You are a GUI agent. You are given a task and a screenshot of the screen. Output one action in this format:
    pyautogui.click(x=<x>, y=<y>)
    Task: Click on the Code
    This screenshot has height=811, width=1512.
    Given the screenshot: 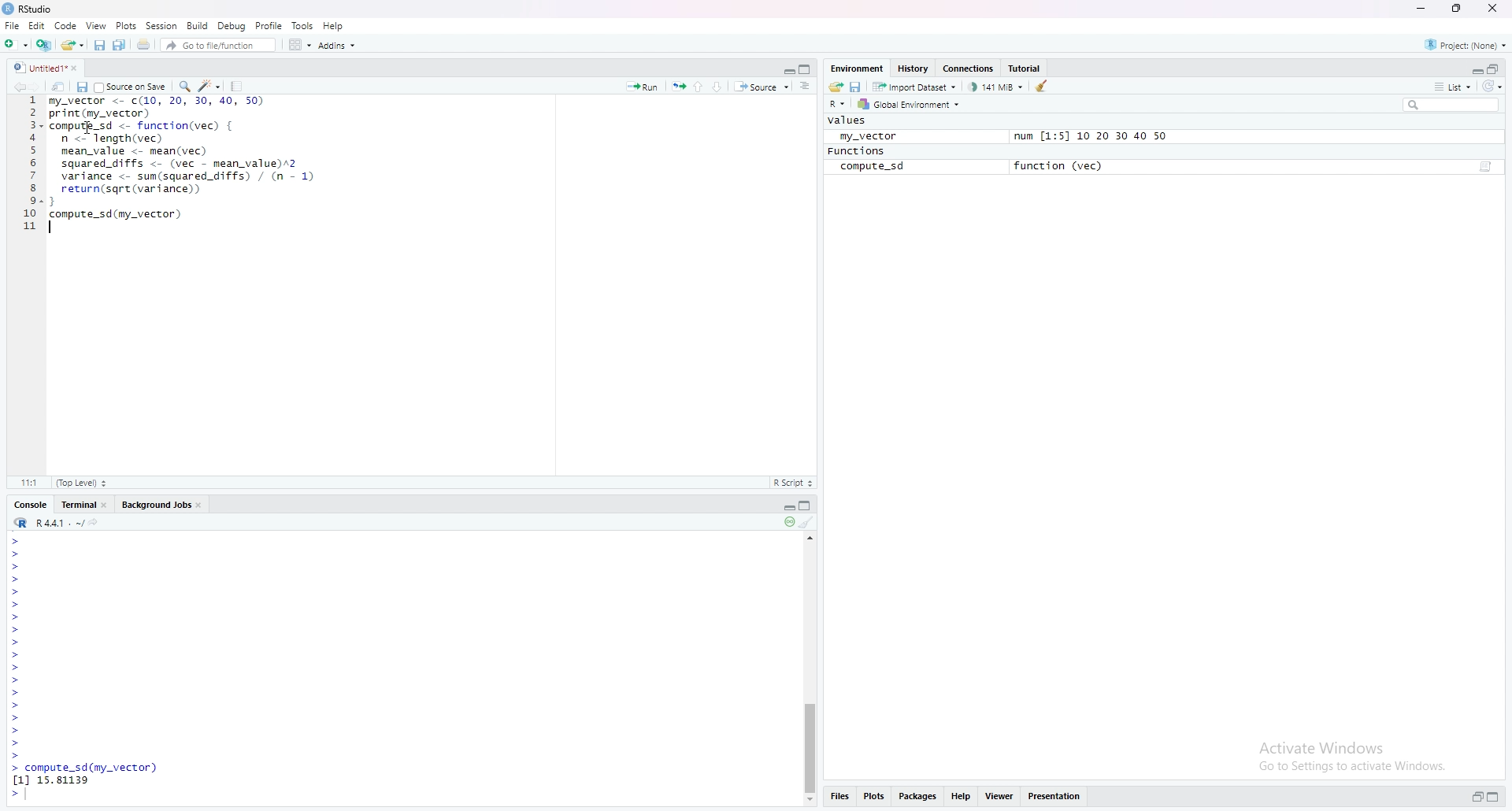 What is the action you would take?
    pyautogui.click(x=68, y=26)
    